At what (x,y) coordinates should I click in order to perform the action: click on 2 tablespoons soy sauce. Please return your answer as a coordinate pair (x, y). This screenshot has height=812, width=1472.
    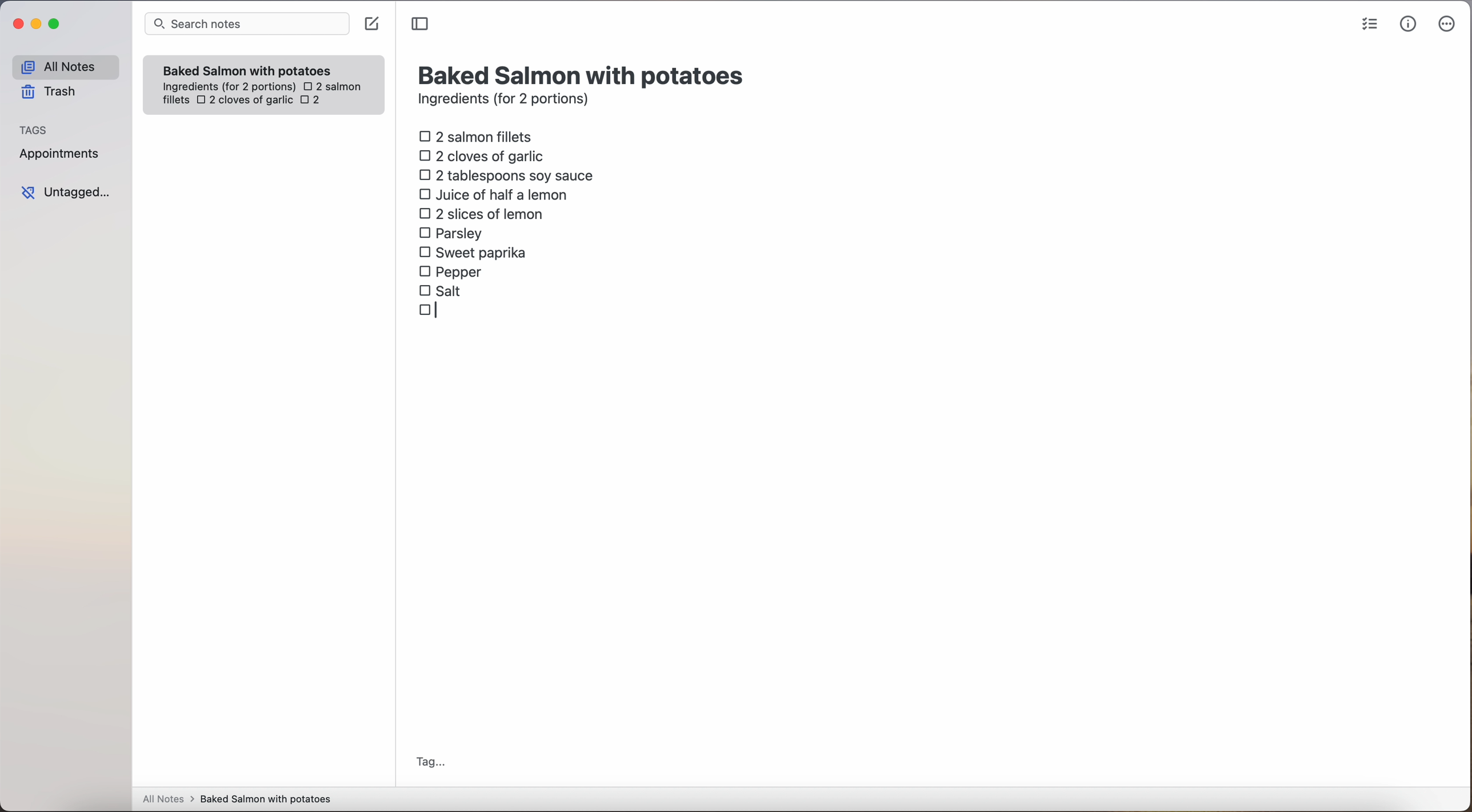
    Looking at the image, I should click on (506, 175).